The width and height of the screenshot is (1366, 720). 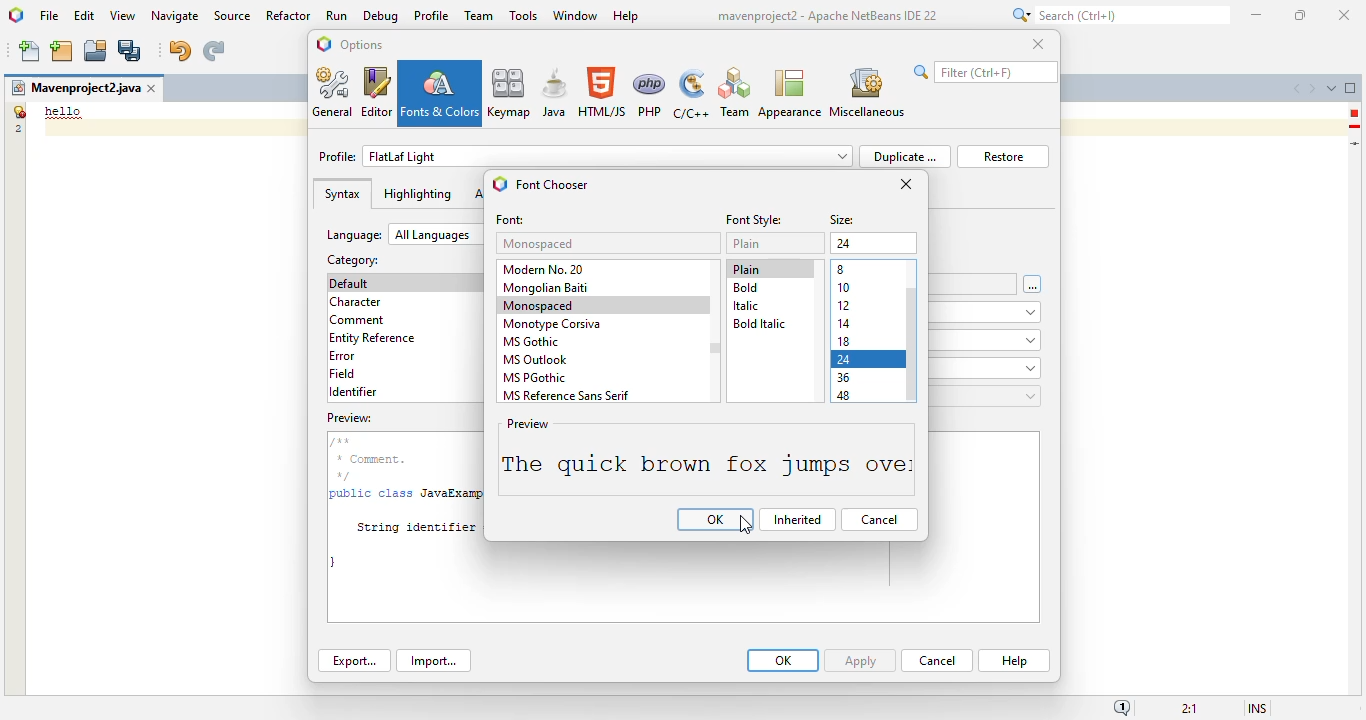 What do you see at coordinates (913, 345) in the screenshot?
I see `vertical scroll bar` at bounding box center [913, 345].